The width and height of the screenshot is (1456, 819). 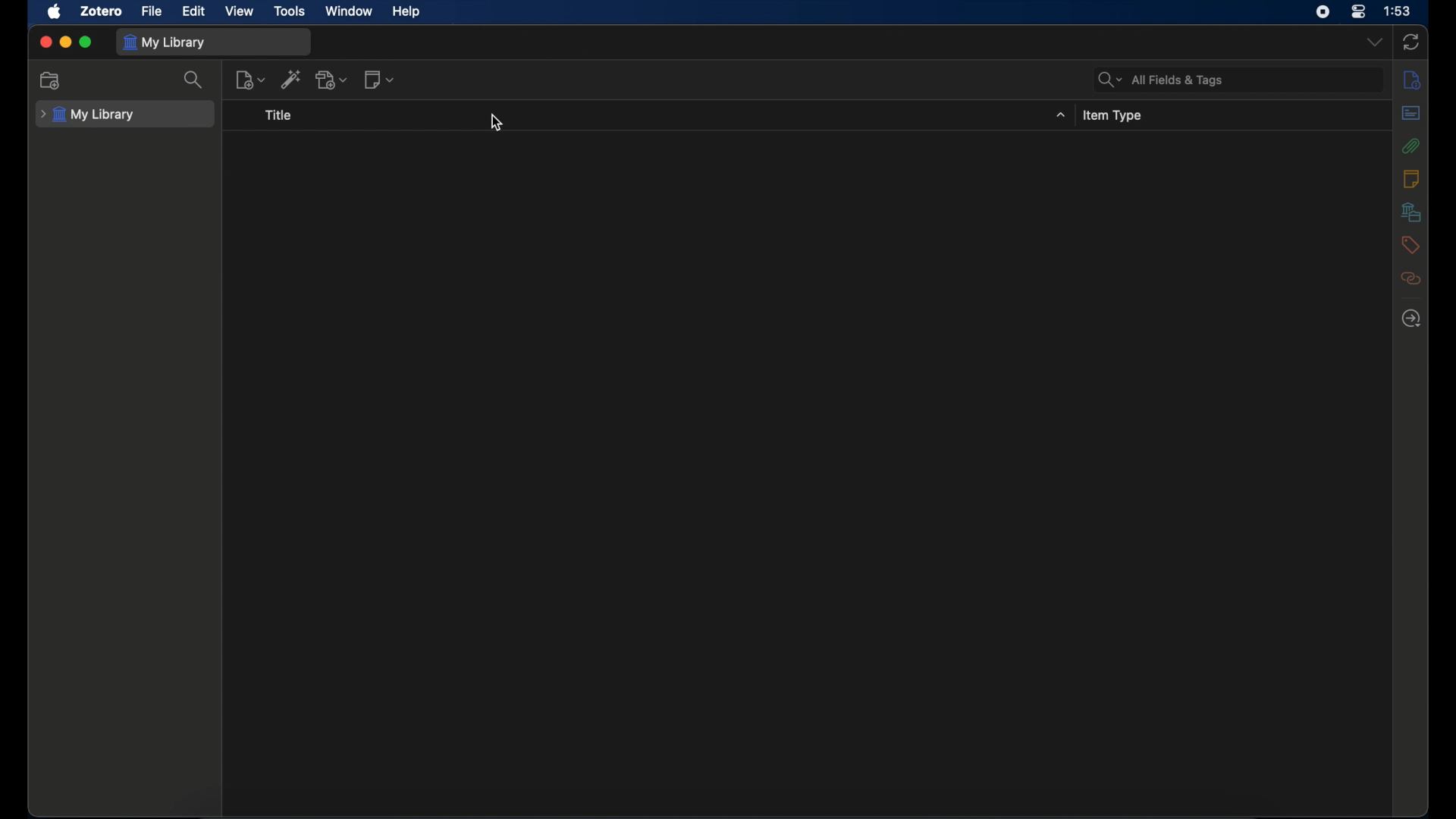 I want to click on sync, so click(x=1410, y=42).